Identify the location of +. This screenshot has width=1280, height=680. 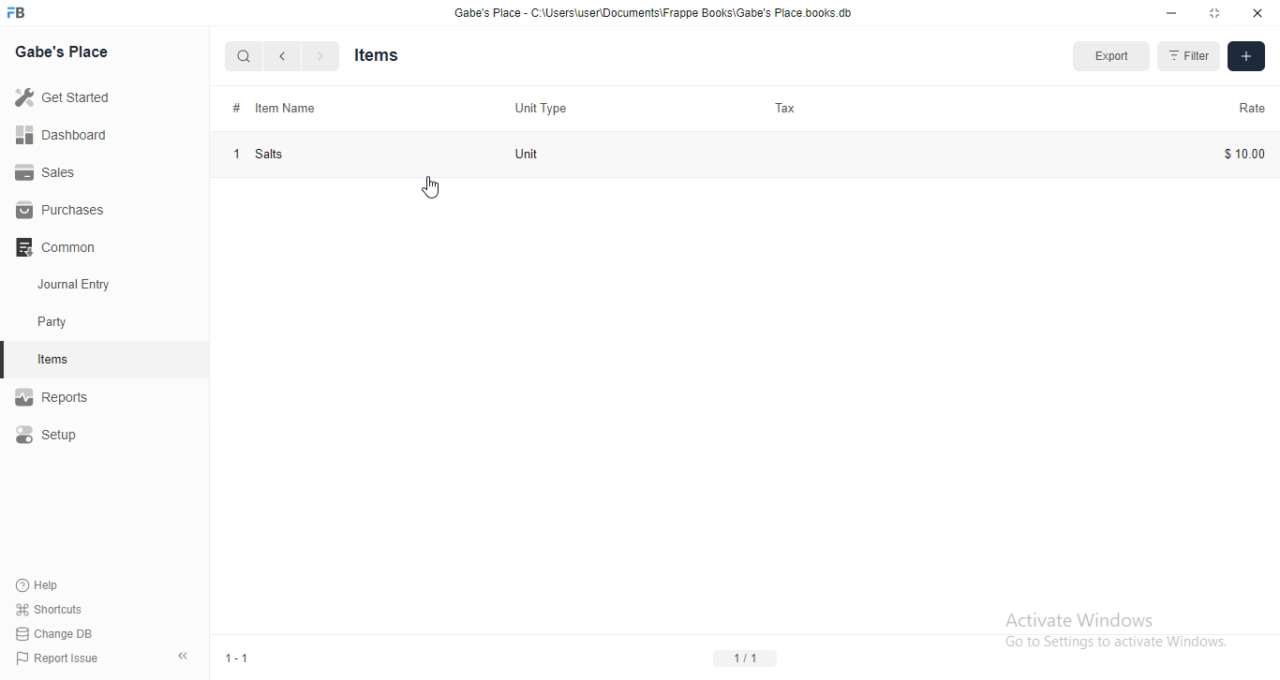
(1247, 55).